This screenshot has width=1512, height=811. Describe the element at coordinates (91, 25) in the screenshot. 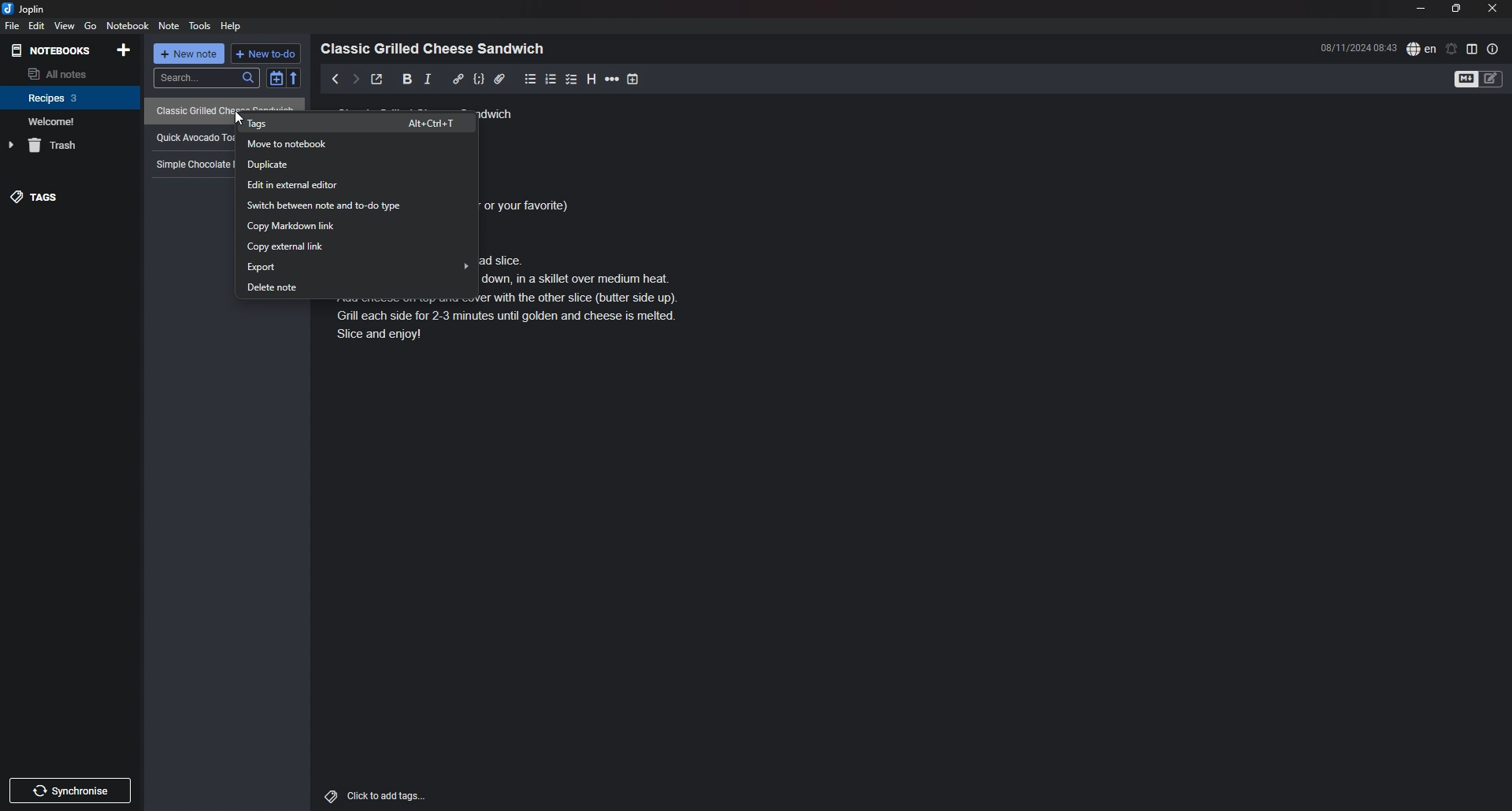

I see `go` at that location.